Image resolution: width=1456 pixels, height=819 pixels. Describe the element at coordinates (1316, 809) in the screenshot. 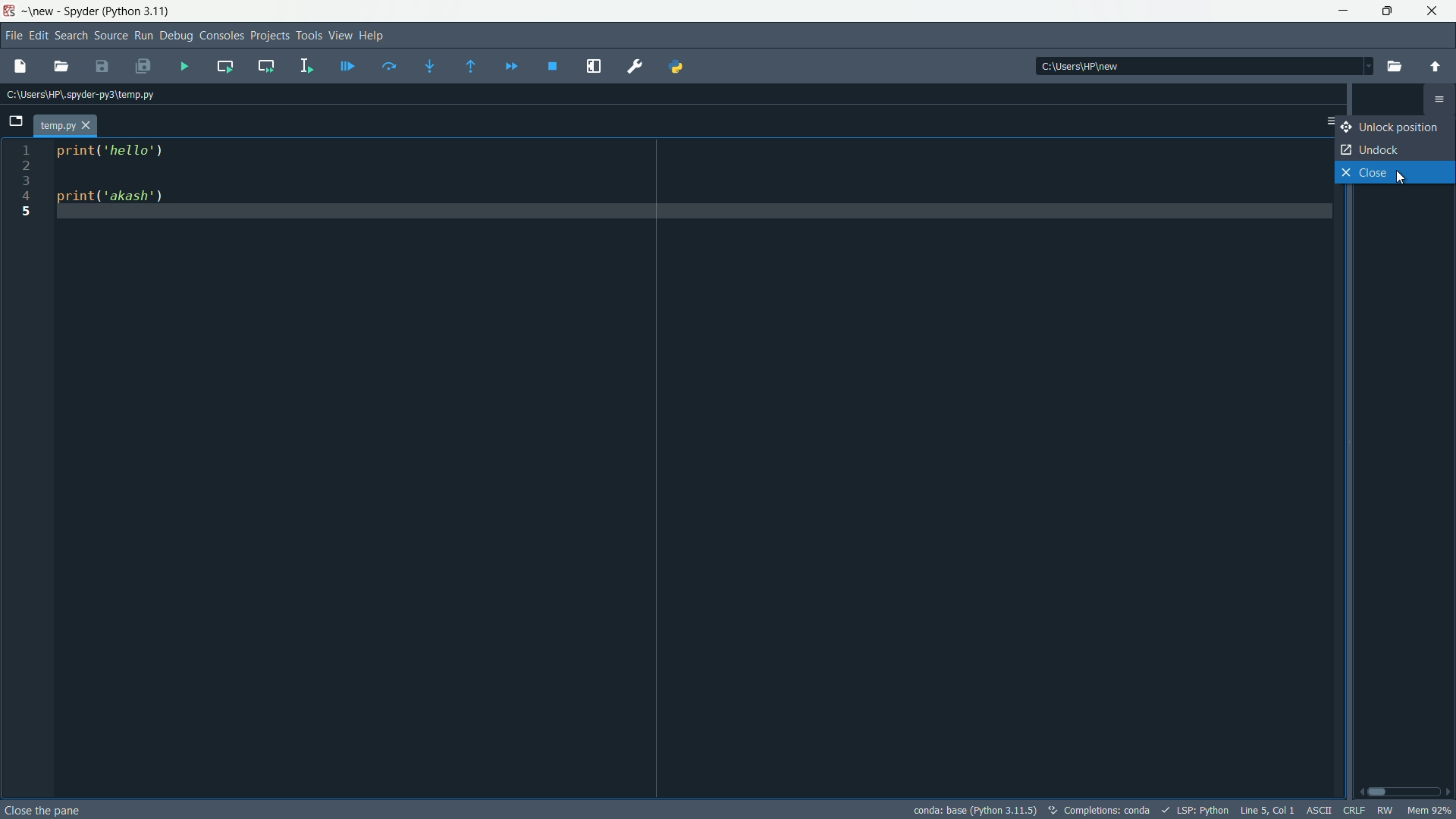

I see `ASCII` at that location.